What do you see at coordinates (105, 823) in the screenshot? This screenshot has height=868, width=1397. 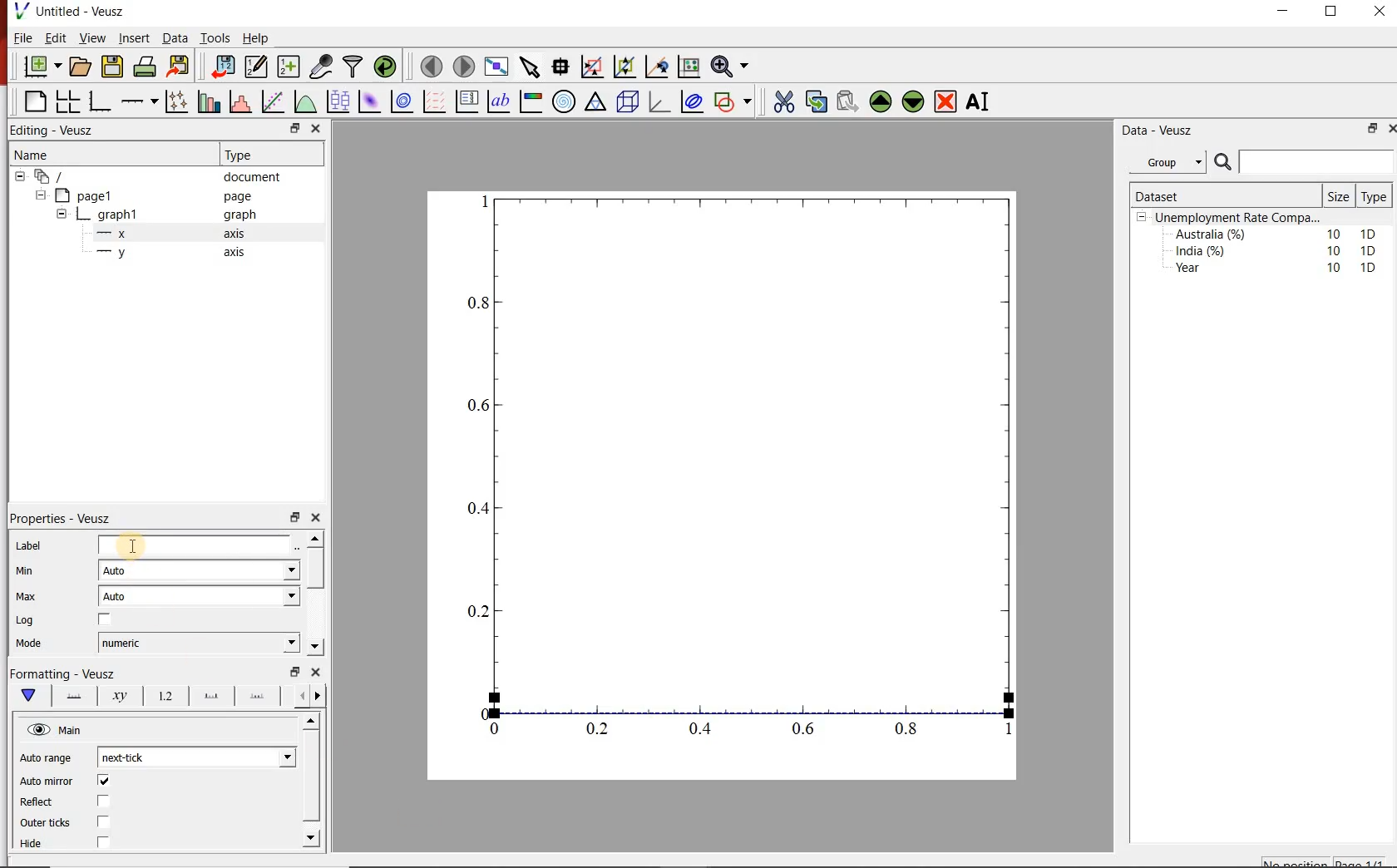 I see `checkbox` at bounding box center [105, 823].